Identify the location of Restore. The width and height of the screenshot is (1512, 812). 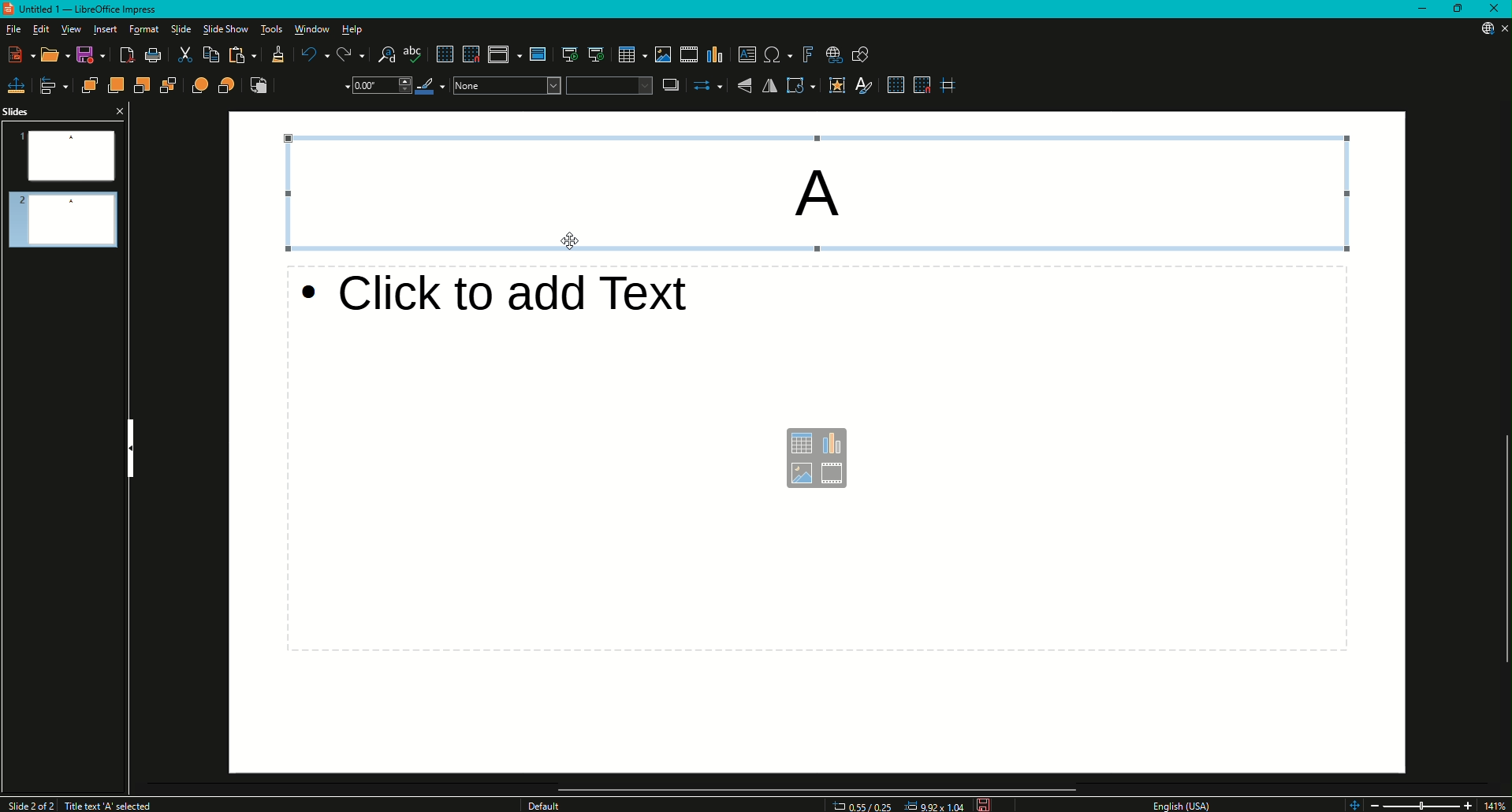
(1459, 9).